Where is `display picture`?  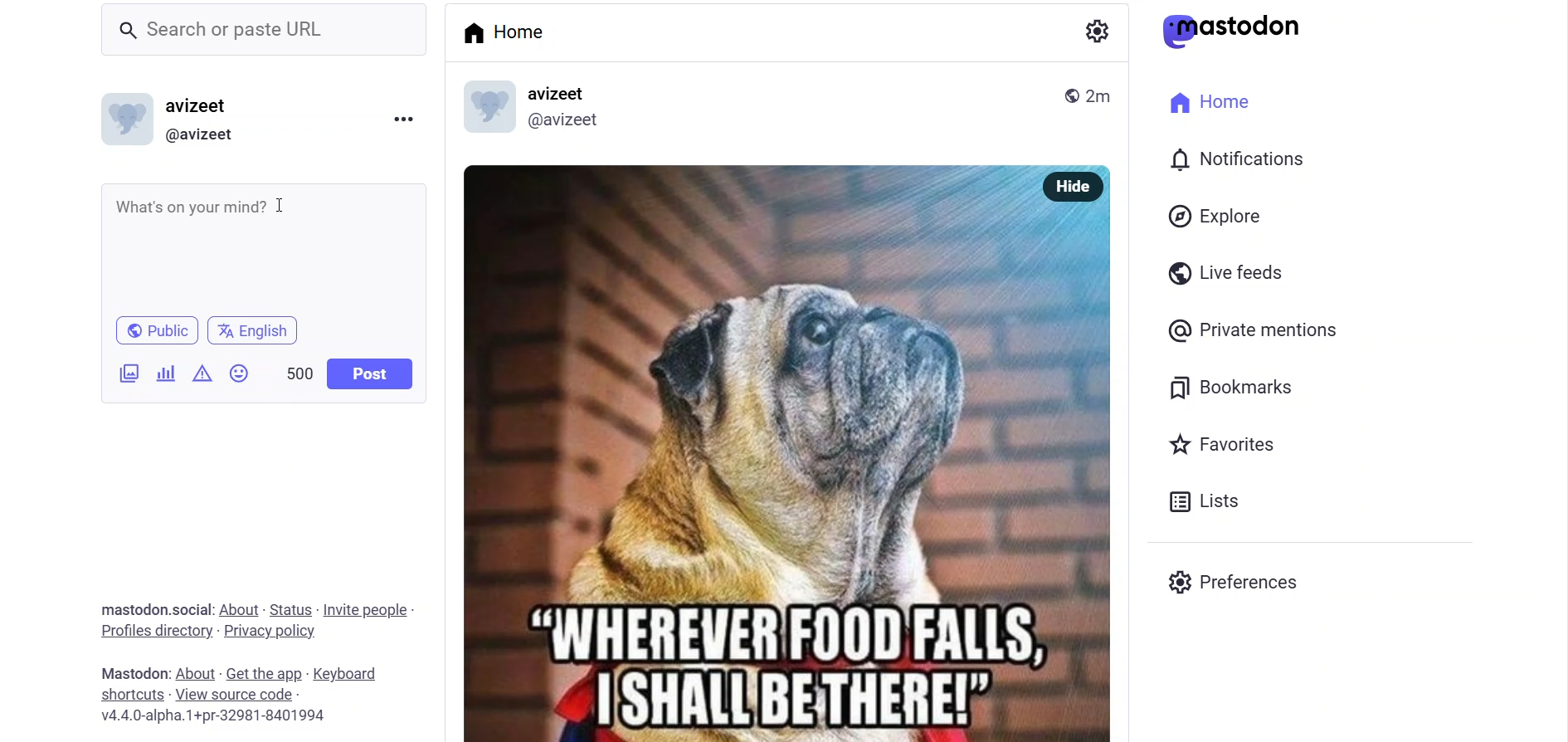
display picture is located at coordinates (126, 118).